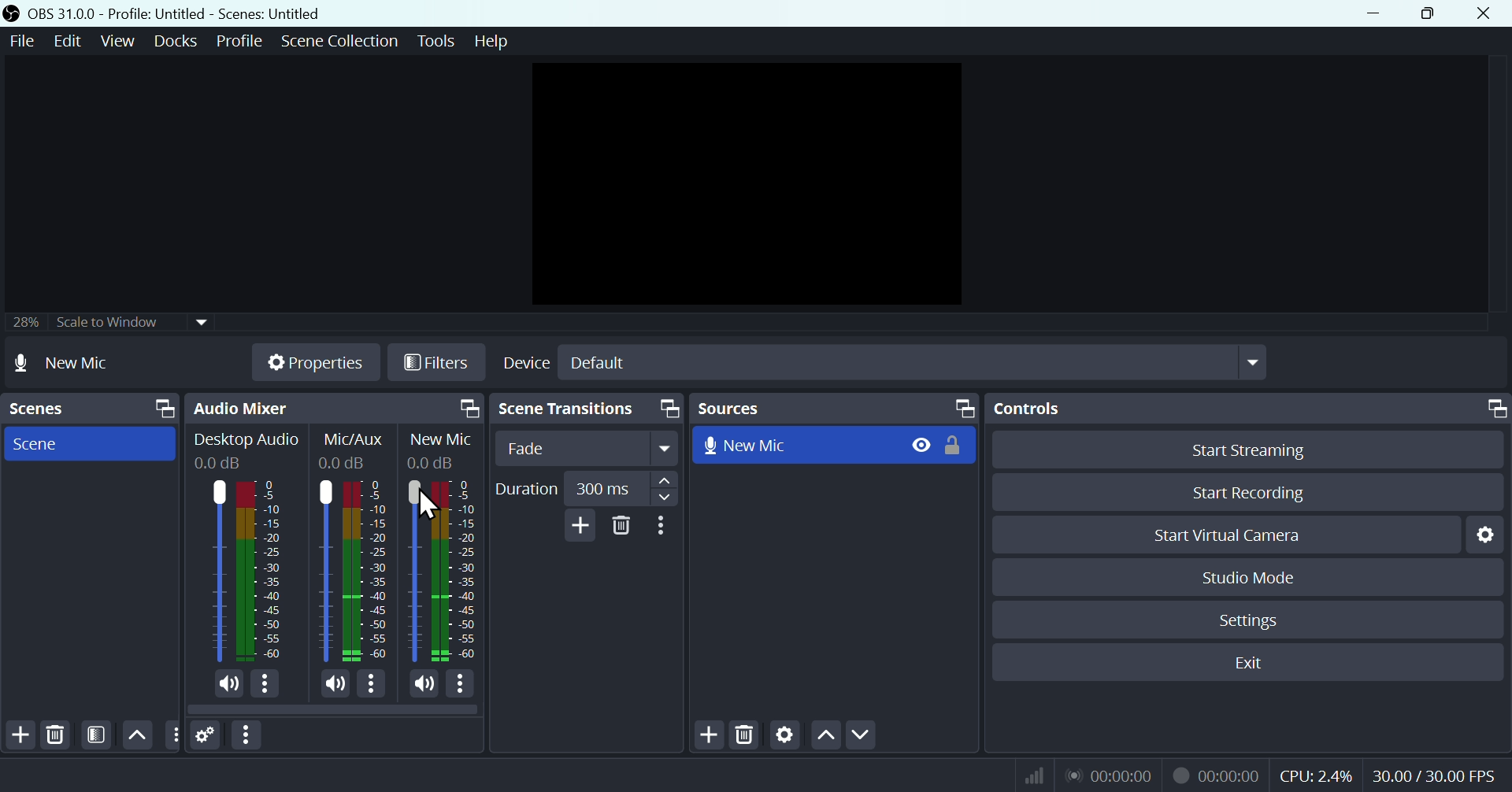  What do you see at coordinates (834, 408) in the screenshot?
I see `Sources` at bounding box center [834, 408].